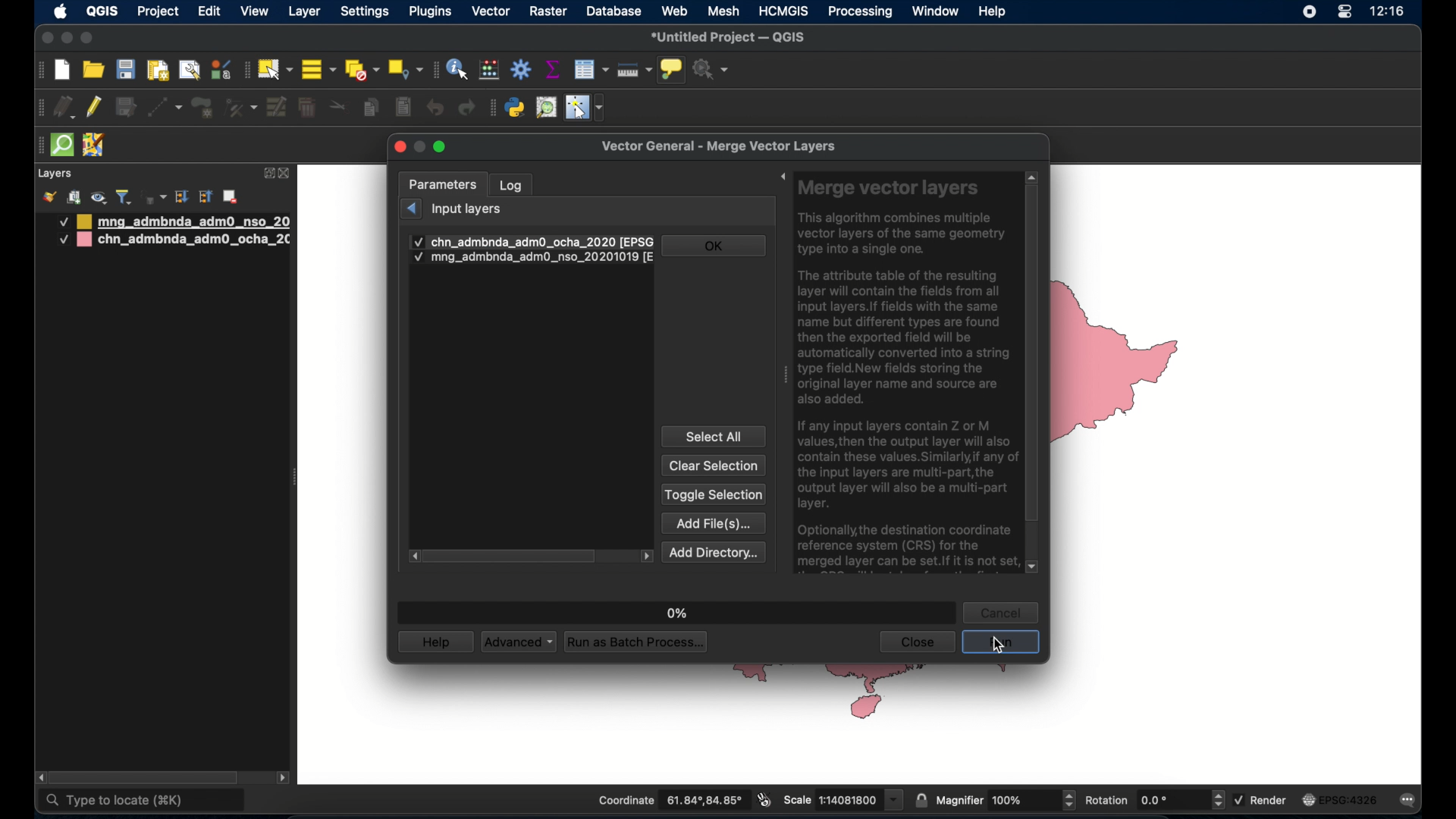 Image resolution: width=1456 pixels, height=819 pixels. What do you see at coordinates (993, 11) in the screenshot?
I see `help` at bounding box center [993, 11].